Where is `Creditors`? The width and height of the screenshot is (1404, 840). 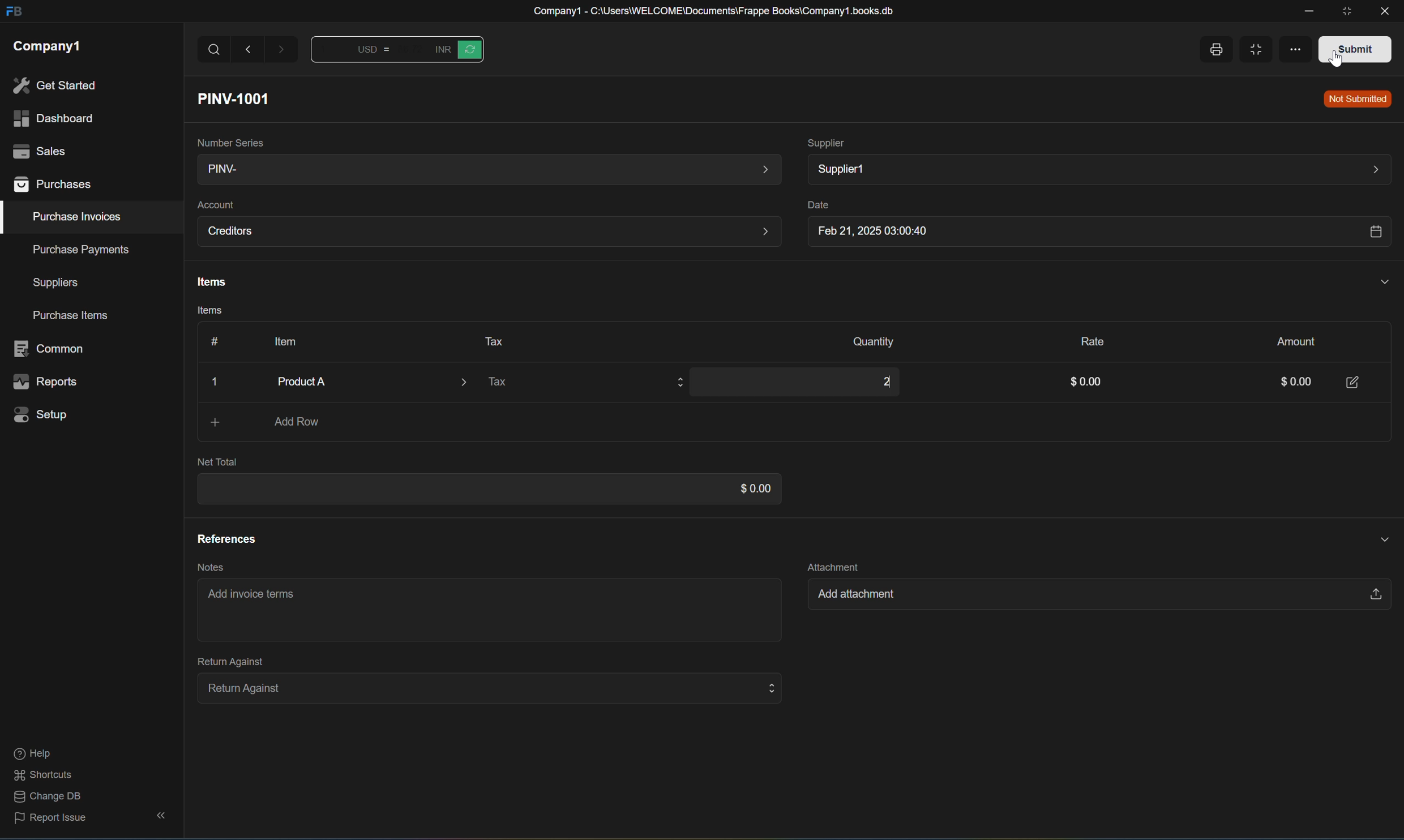 Creditors is located at coordinates (489, 232).